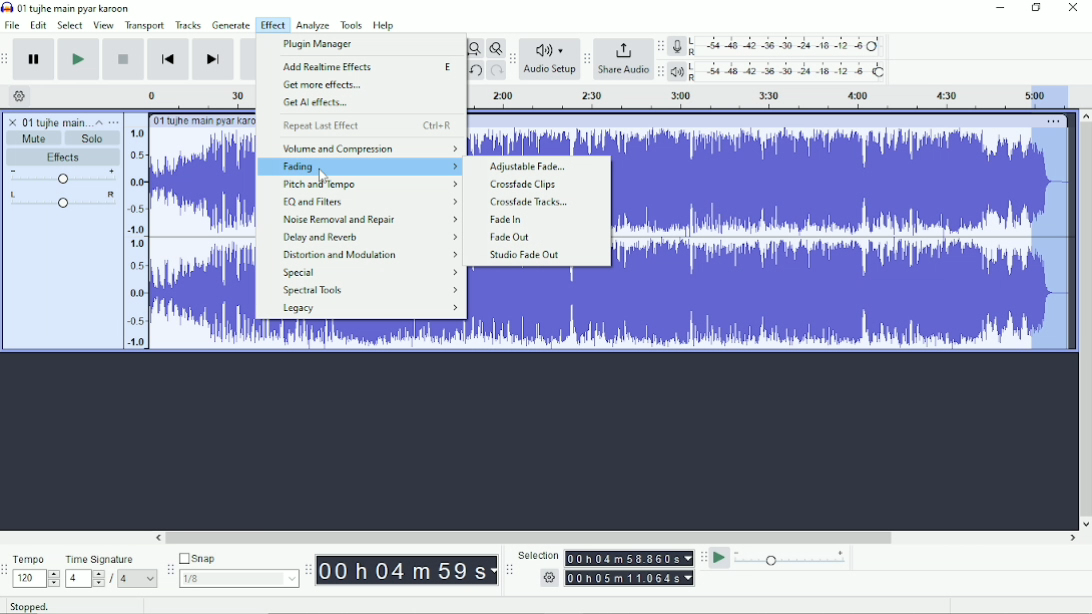  Describe the element at coordinates (370, 201) in the screenshot. I see `EQ and Filters` at that location.